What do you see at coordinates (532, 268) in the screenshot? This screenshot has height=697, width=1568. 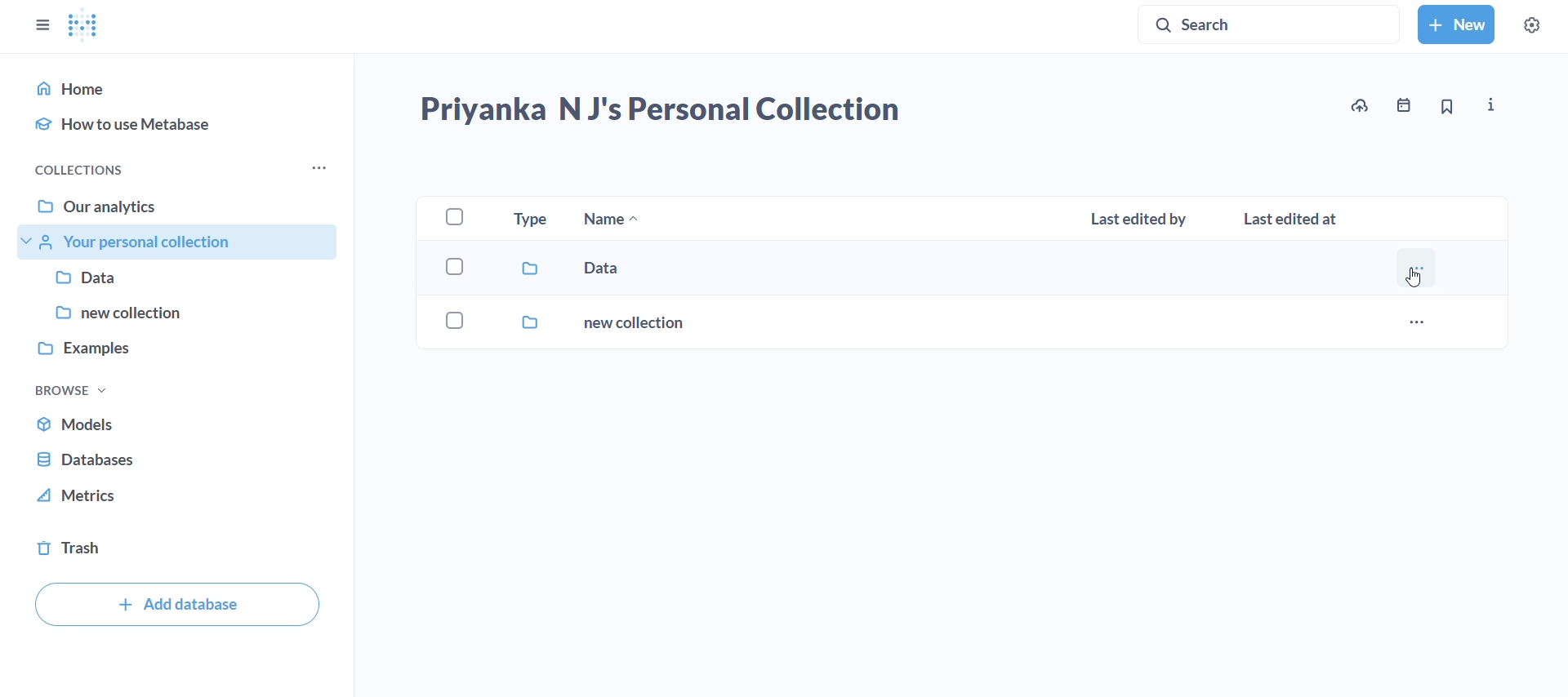 I see `data` at bounding box center [532, 268].